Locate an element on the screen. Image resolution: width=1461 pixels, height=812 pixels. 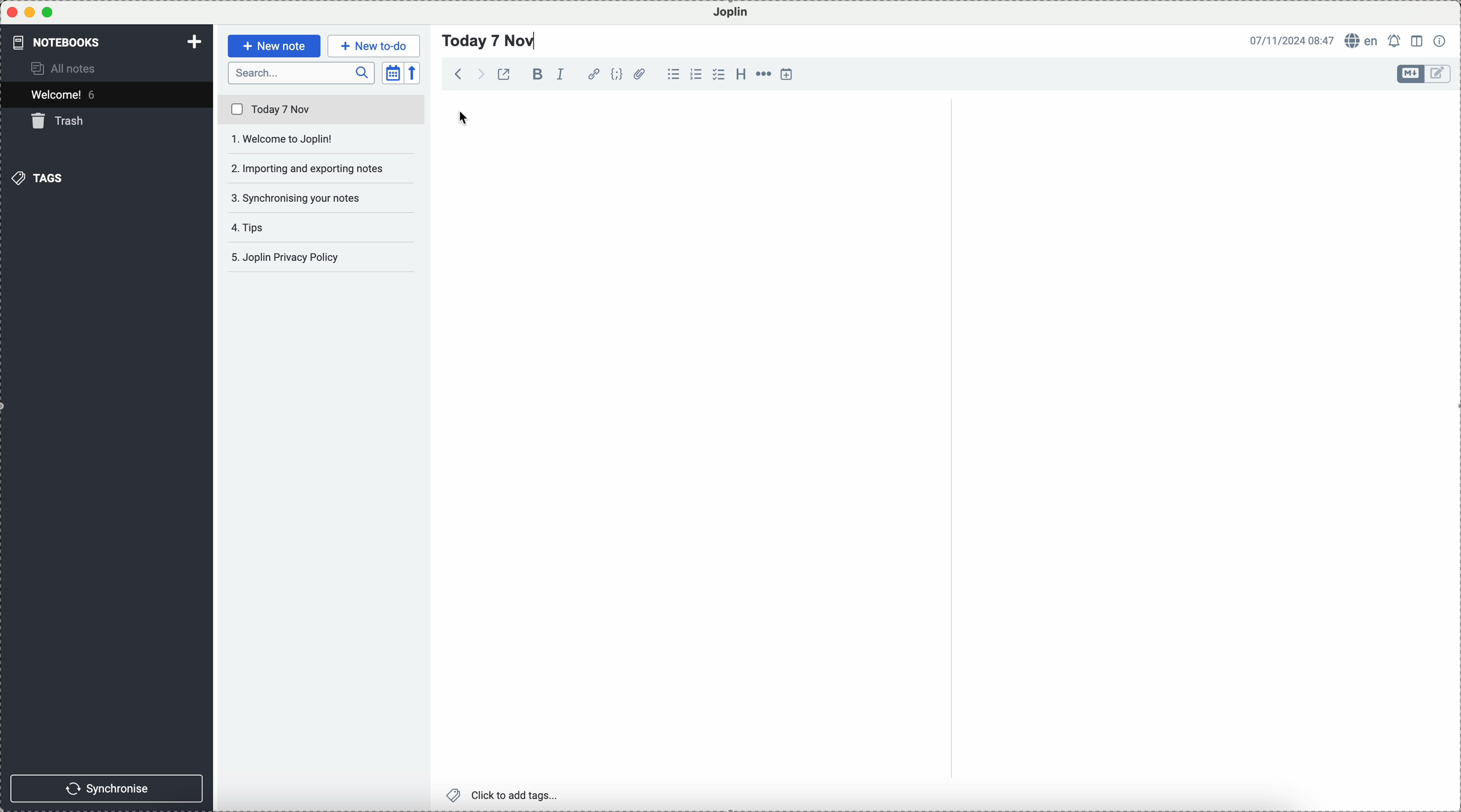
add new notebook is located at coordinates (195, 43).